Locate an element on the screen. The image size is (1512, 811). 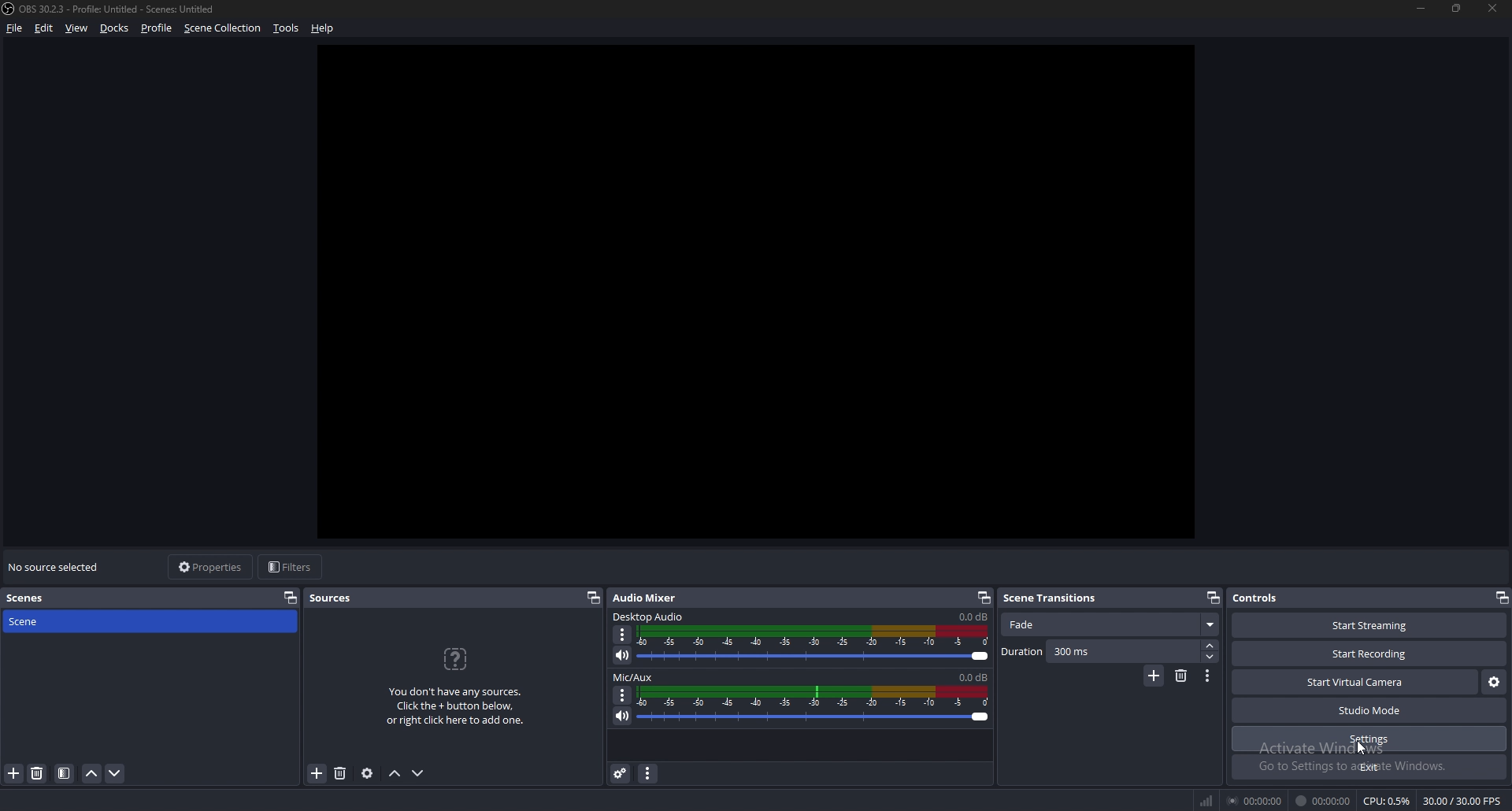
scene transitions is located at coordinates (1057, 599).